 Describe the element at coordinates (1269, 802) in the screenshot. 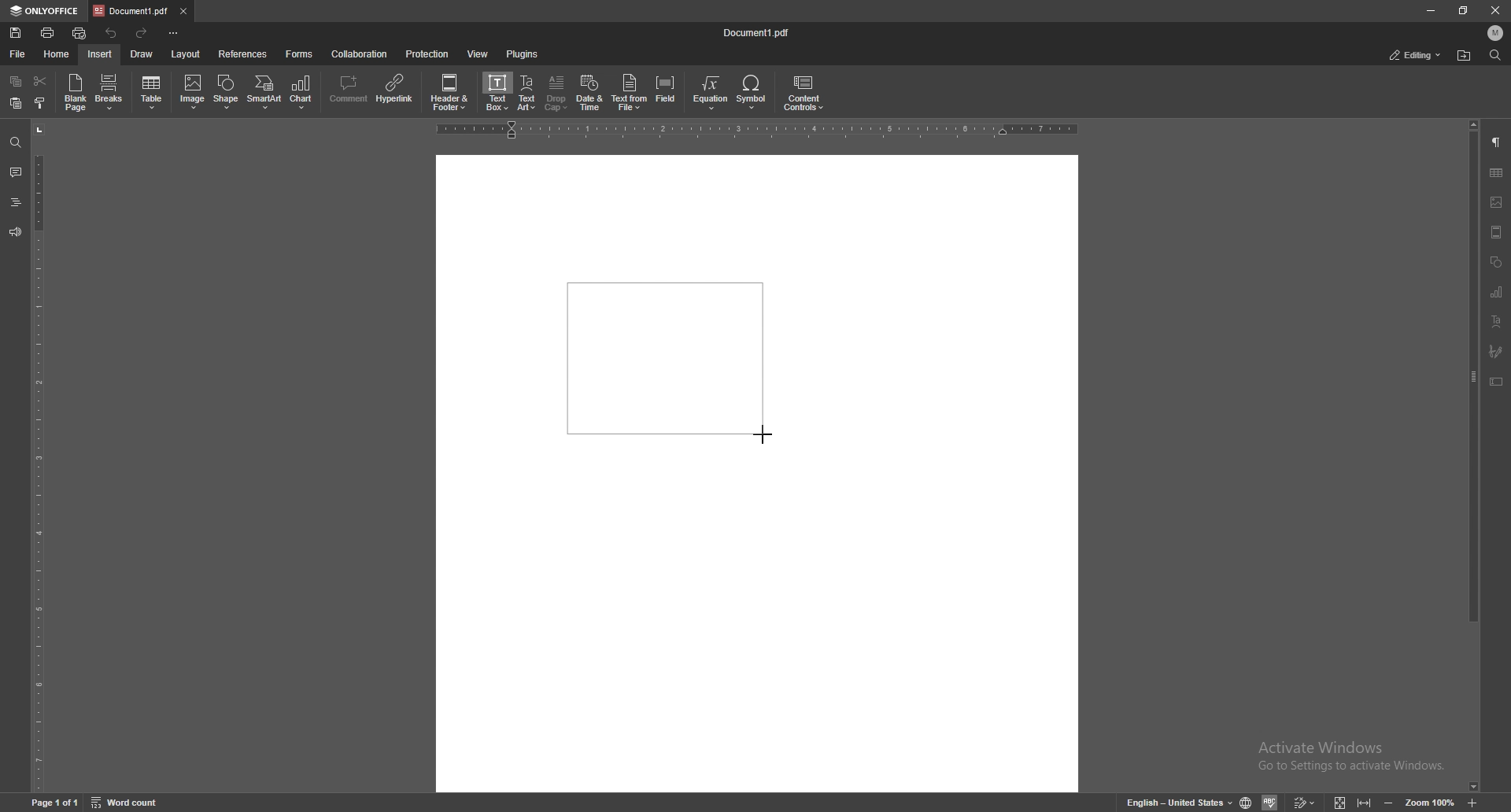

I see `spell check` at that location.